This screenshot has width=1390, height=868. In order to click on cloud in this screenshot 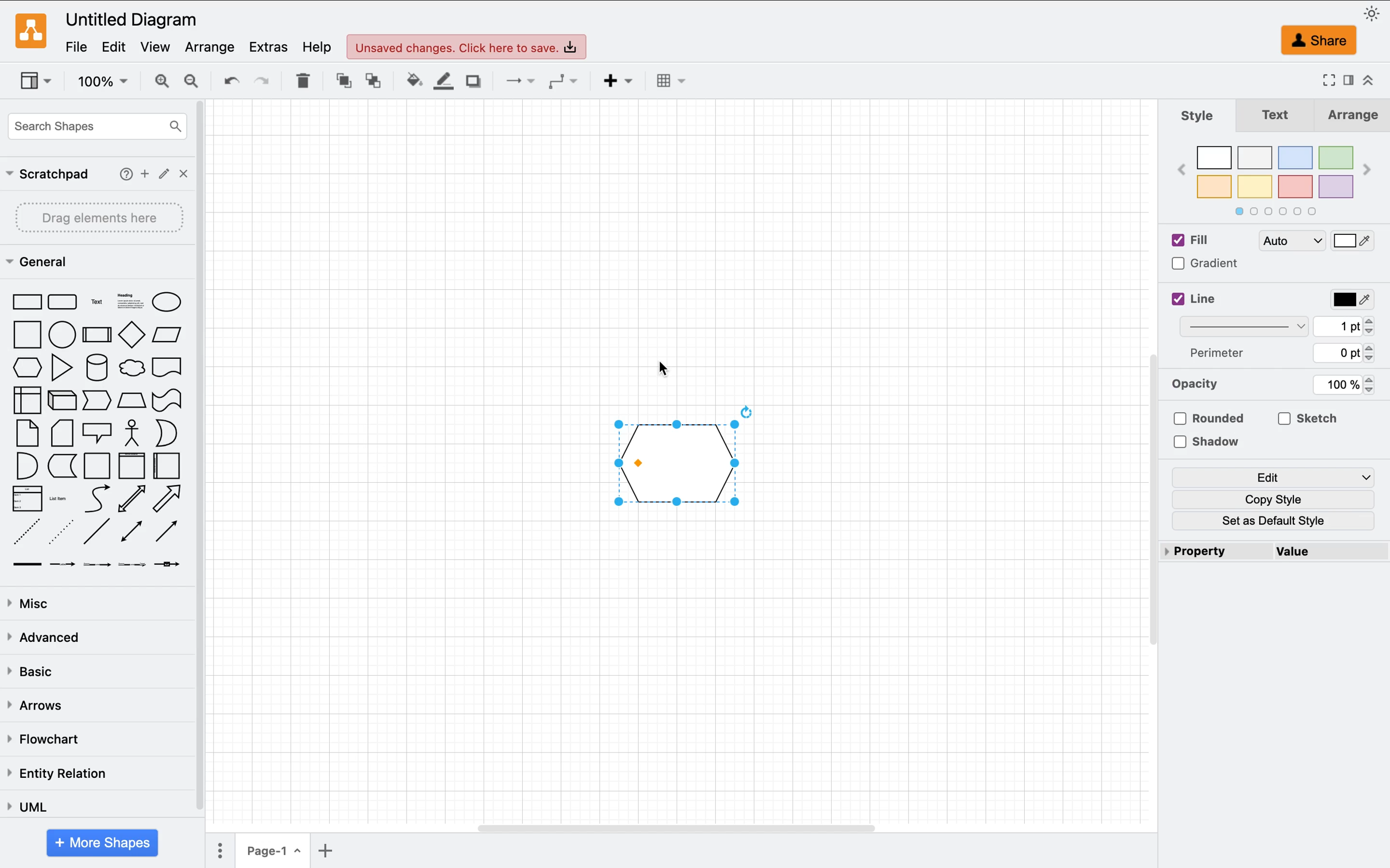, I will do `click(132, 367)`.